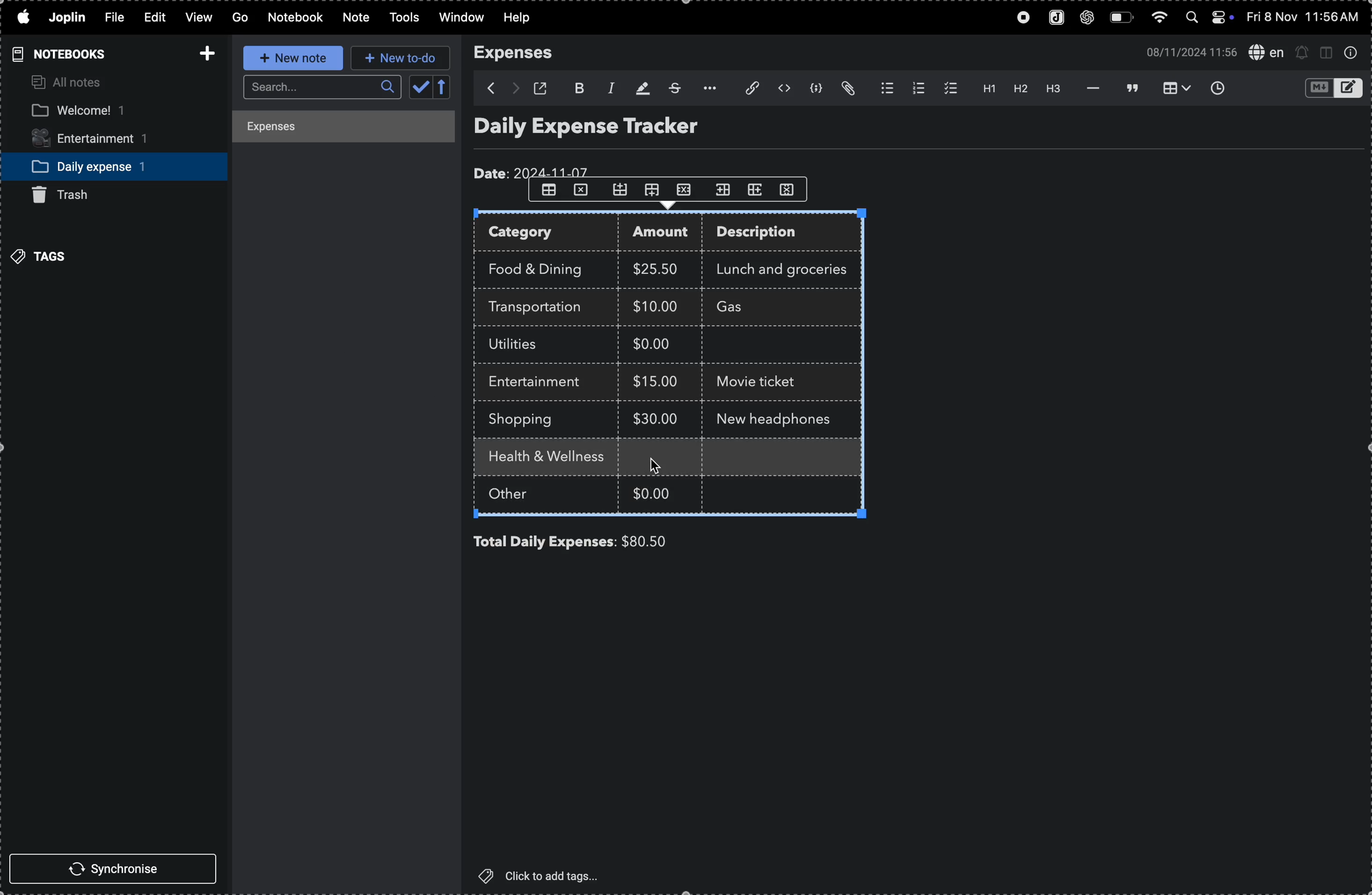 This screenshot has height=895, width=1372. I want to click on Gas, so click(751, 308).